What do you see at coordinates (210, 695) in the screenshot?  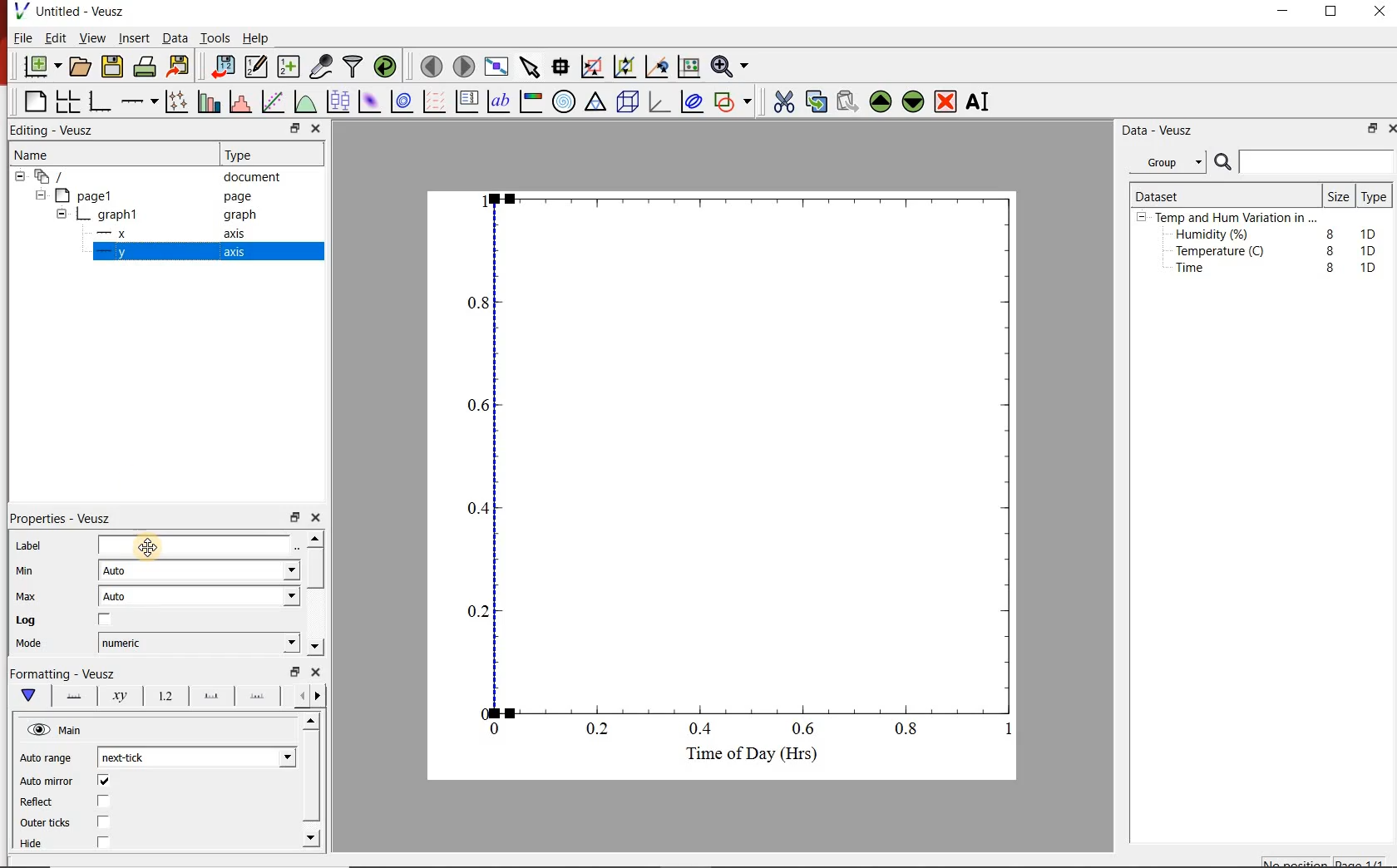 I see `major ticks` at bounding box center [210, 695].